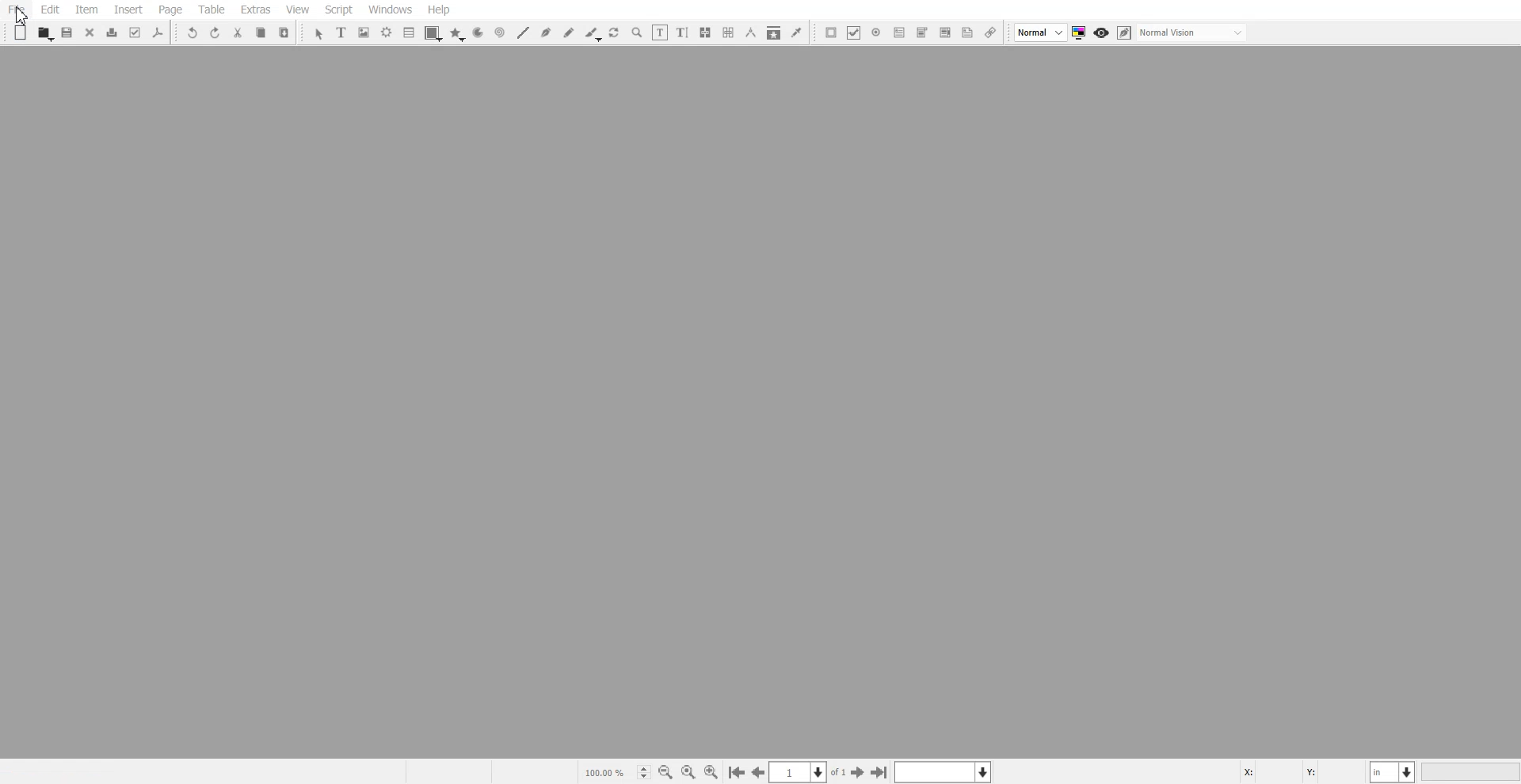 This screenshot has height=784, width=1521. I want to click on Measurement, so click(751, 32).